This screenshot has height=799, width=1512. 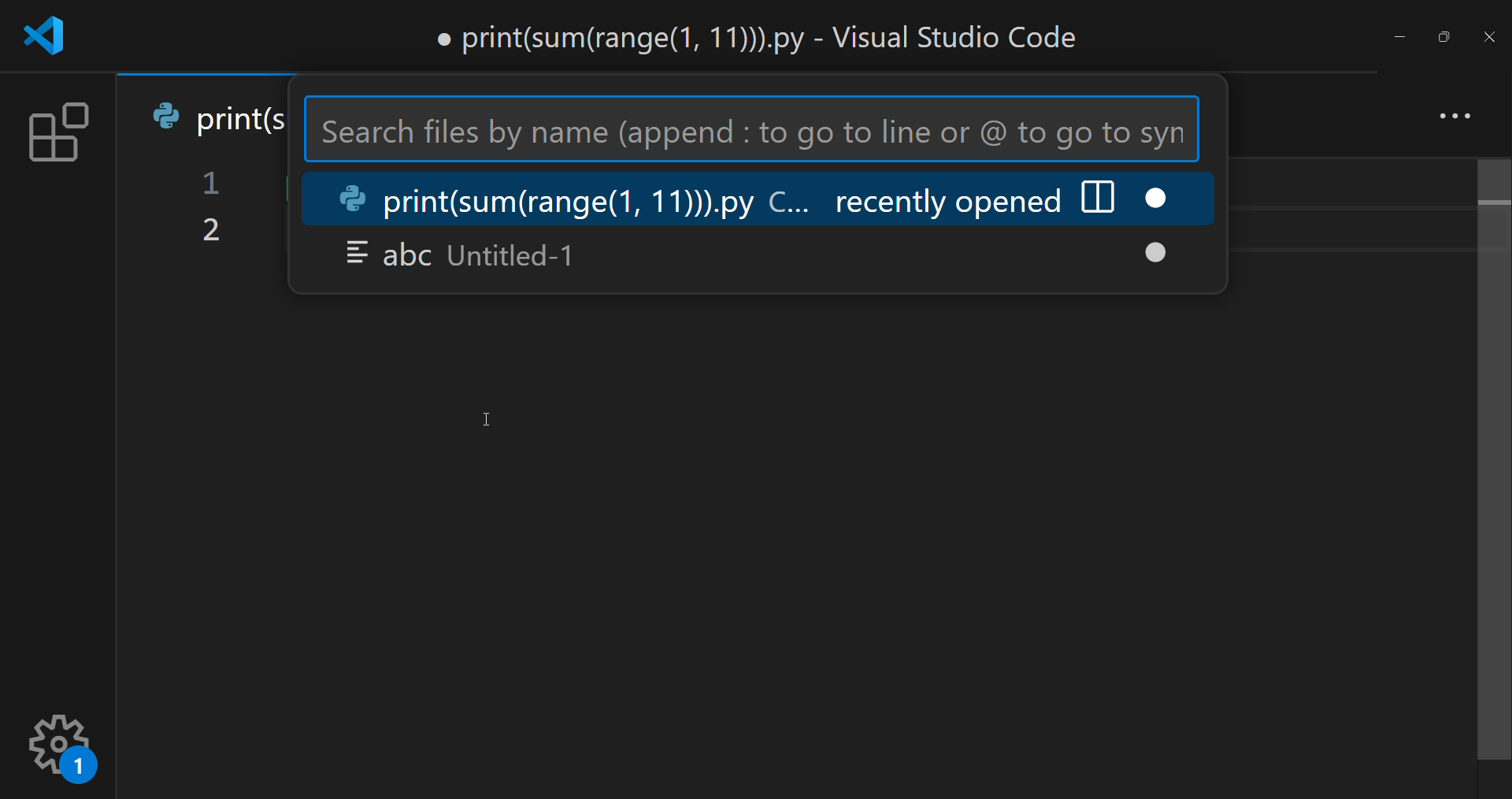 What do you see at coordinates (712, 197) in the screenshot?
I see `print(sum(range(1, 11))).py C... recently opened` at bounding box center [712, 197].